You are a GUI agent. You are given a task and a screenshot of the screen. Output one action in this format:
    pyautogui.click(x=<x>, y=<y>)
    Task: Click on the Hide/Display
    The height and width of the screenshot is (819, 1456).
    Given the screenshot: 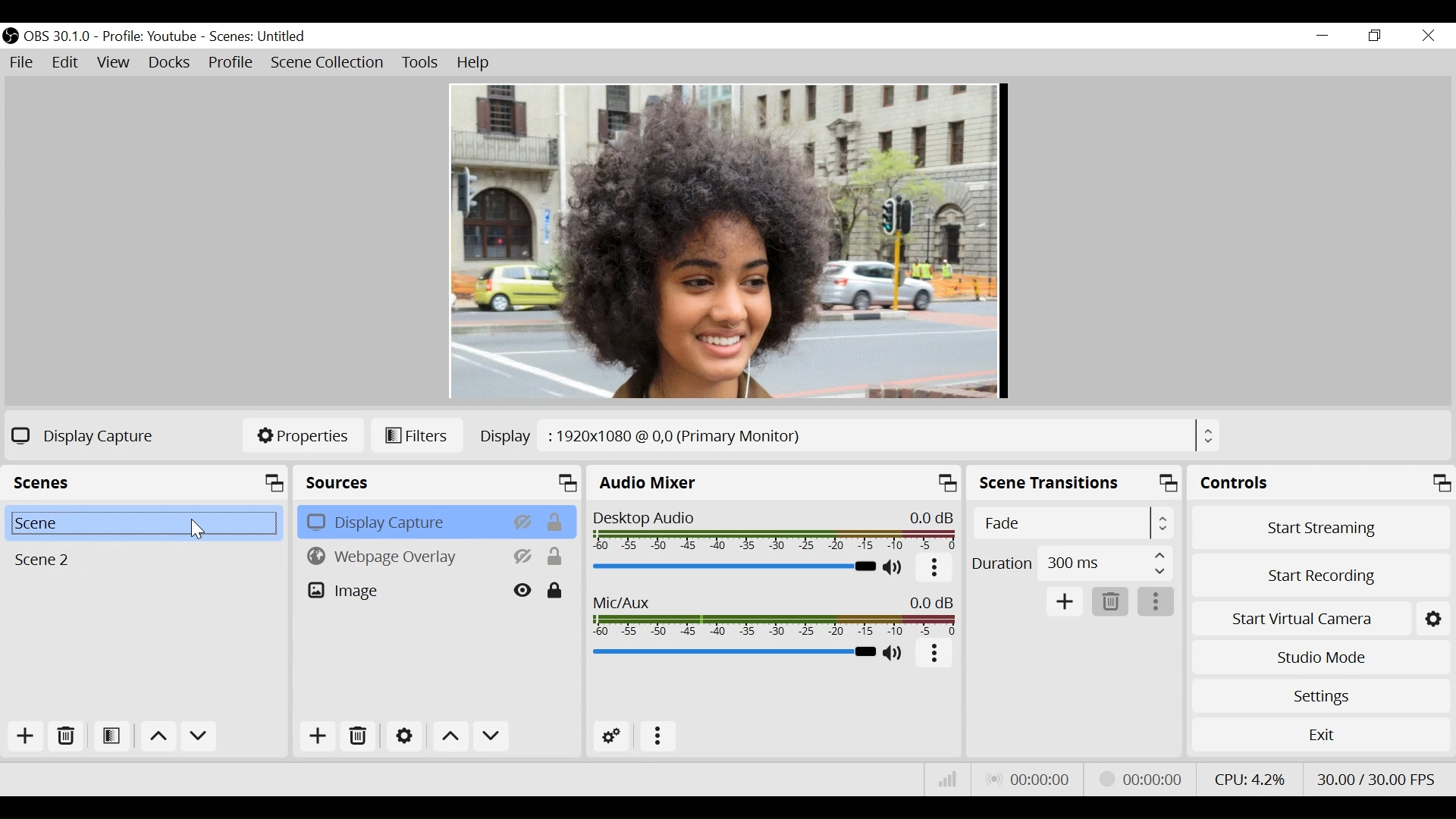 What is the action you would take?
    pyautogui.click(x=524, y=590)
    